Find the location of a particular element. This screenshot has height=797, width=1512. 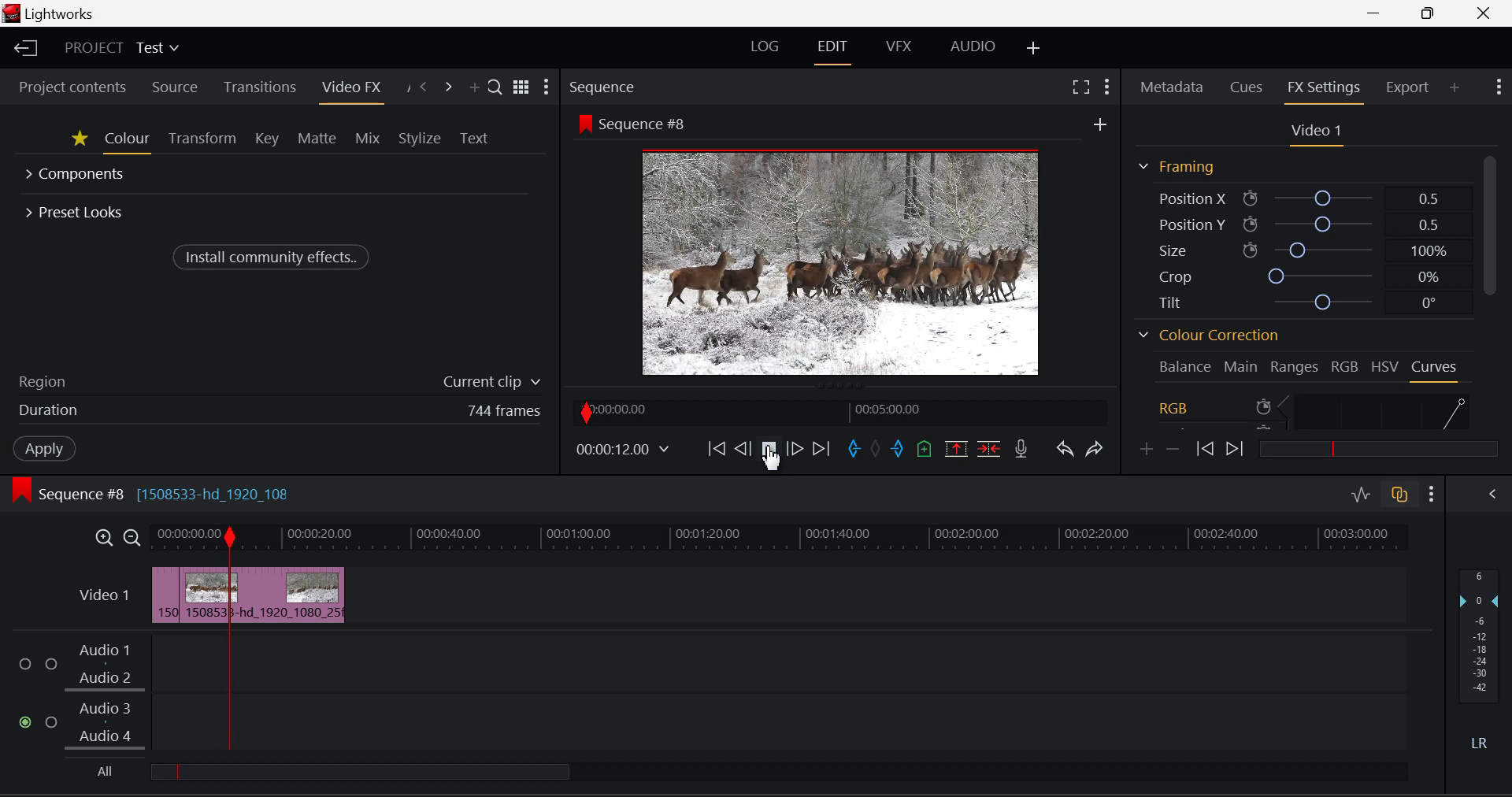

Main is located at coordinates (1241, 365).